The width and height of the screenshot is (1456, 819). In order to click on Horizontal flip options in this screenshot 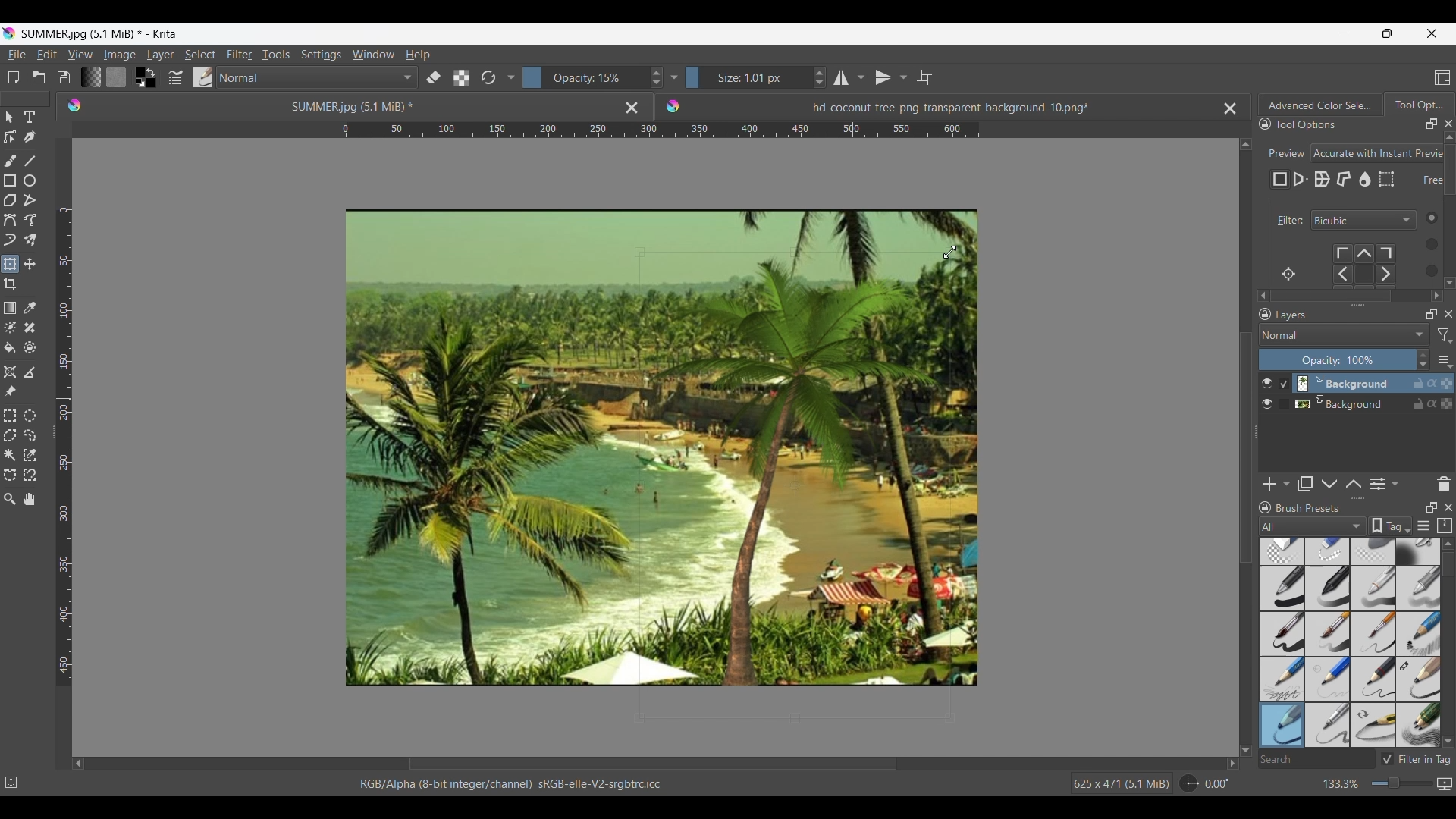, I will do `click(861, 77)`.